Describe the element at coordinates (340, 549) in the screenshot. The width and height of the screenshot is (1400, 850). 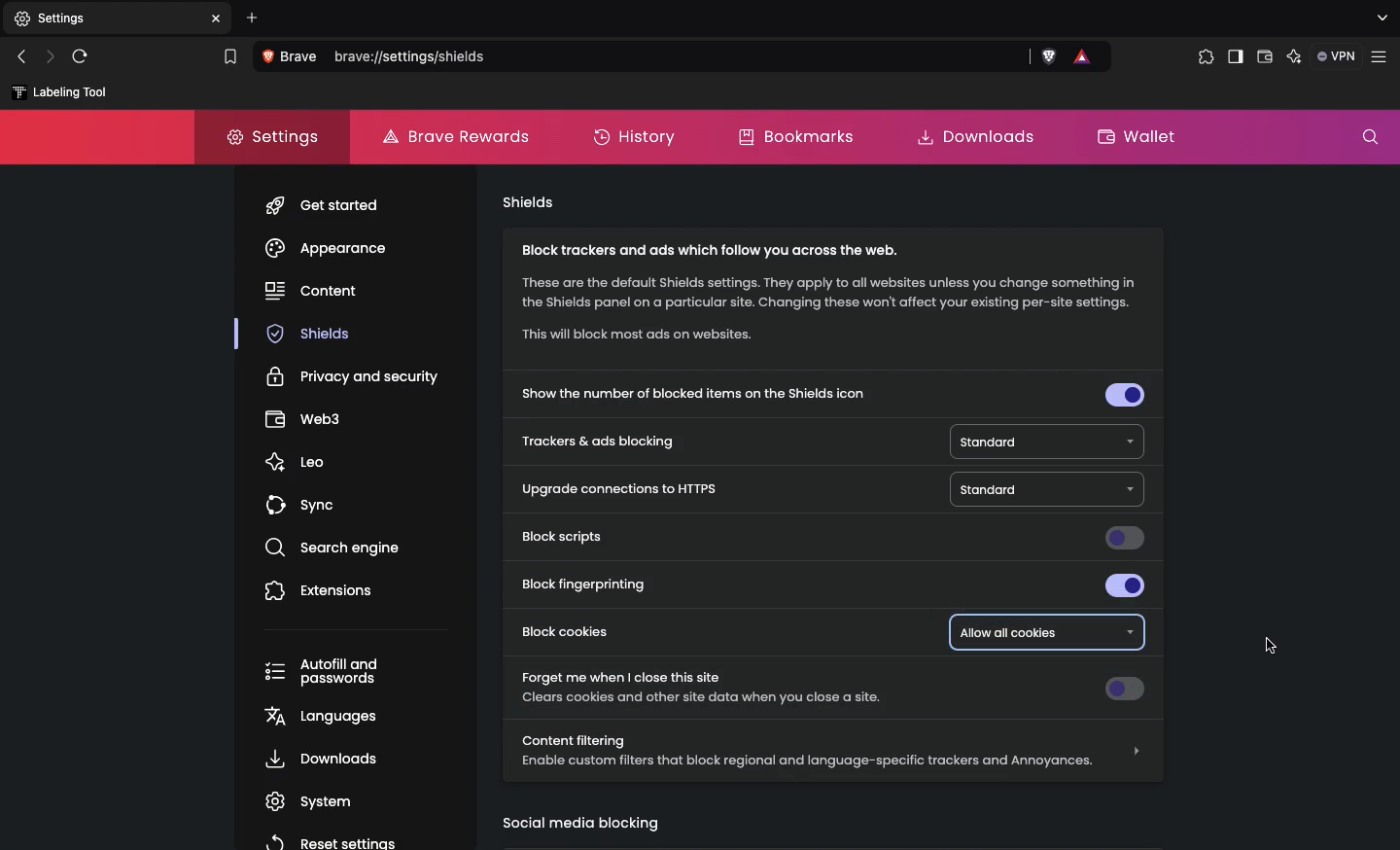
I see `search engine` at that location.